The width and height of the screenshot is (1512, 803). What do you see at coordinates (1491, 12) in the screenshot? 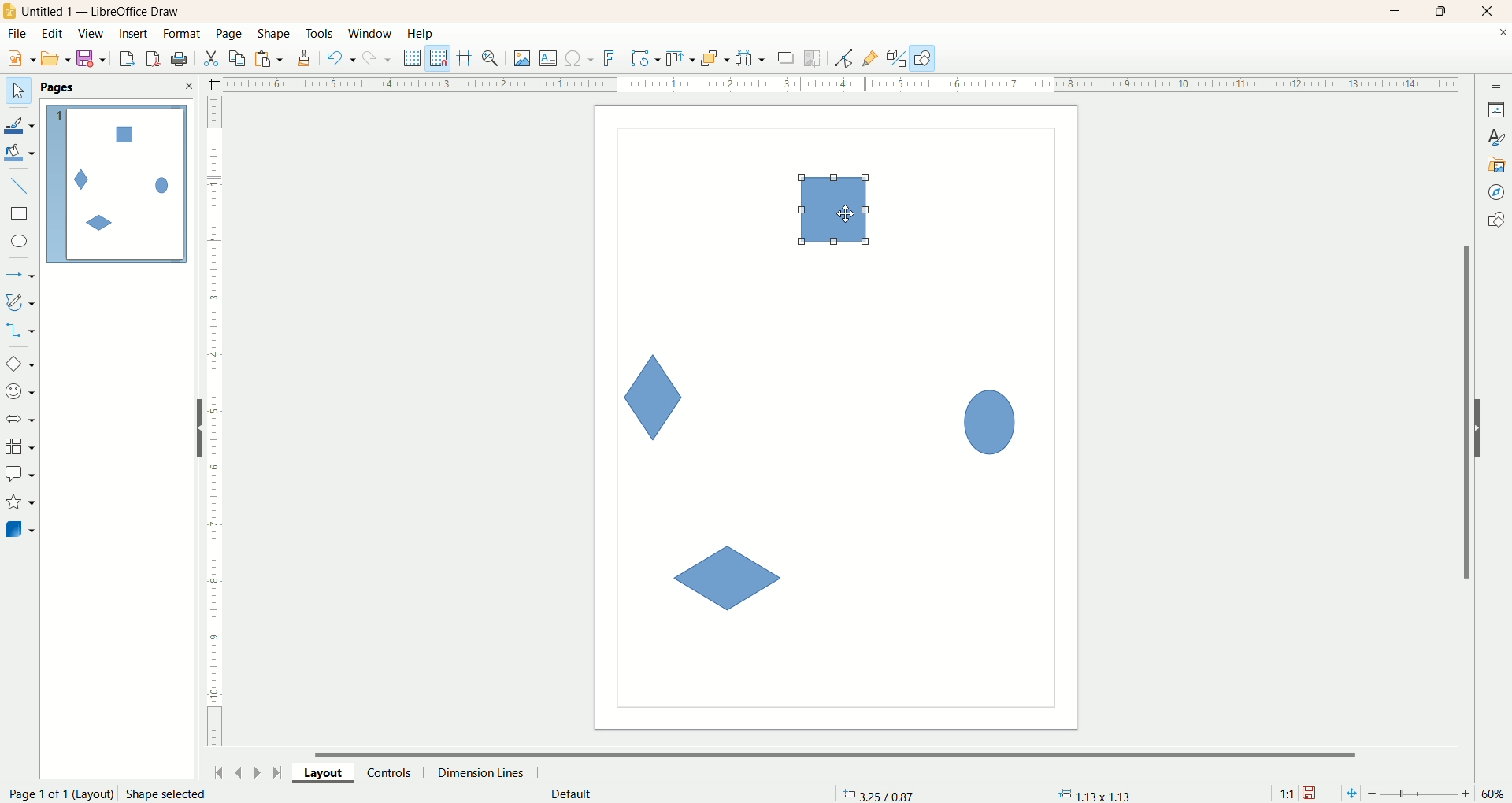
I see `close` at bounding box center [1491, 12].